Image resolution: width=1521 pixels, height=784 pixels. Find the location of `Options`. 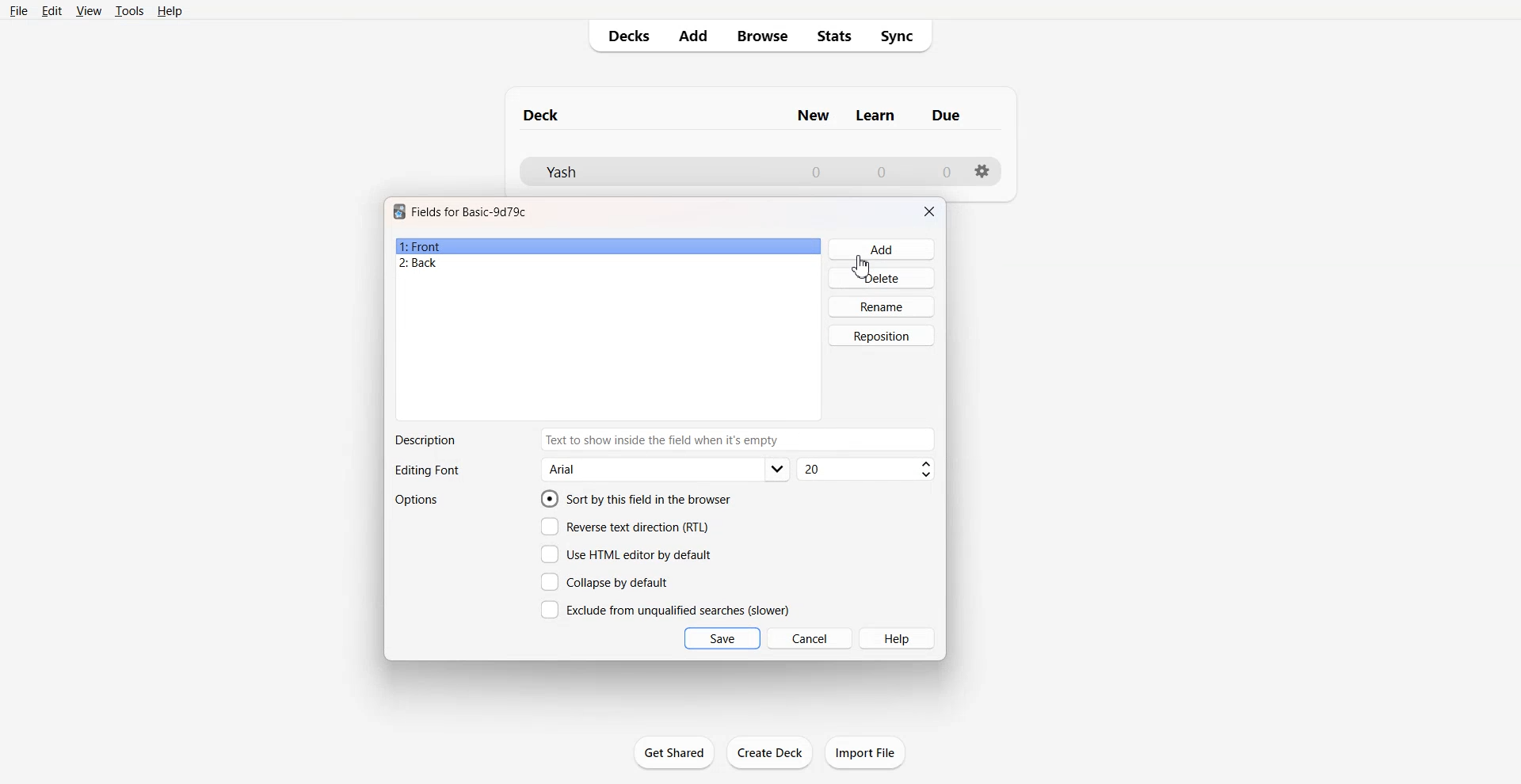

Options is located at coordinates (418, 500).